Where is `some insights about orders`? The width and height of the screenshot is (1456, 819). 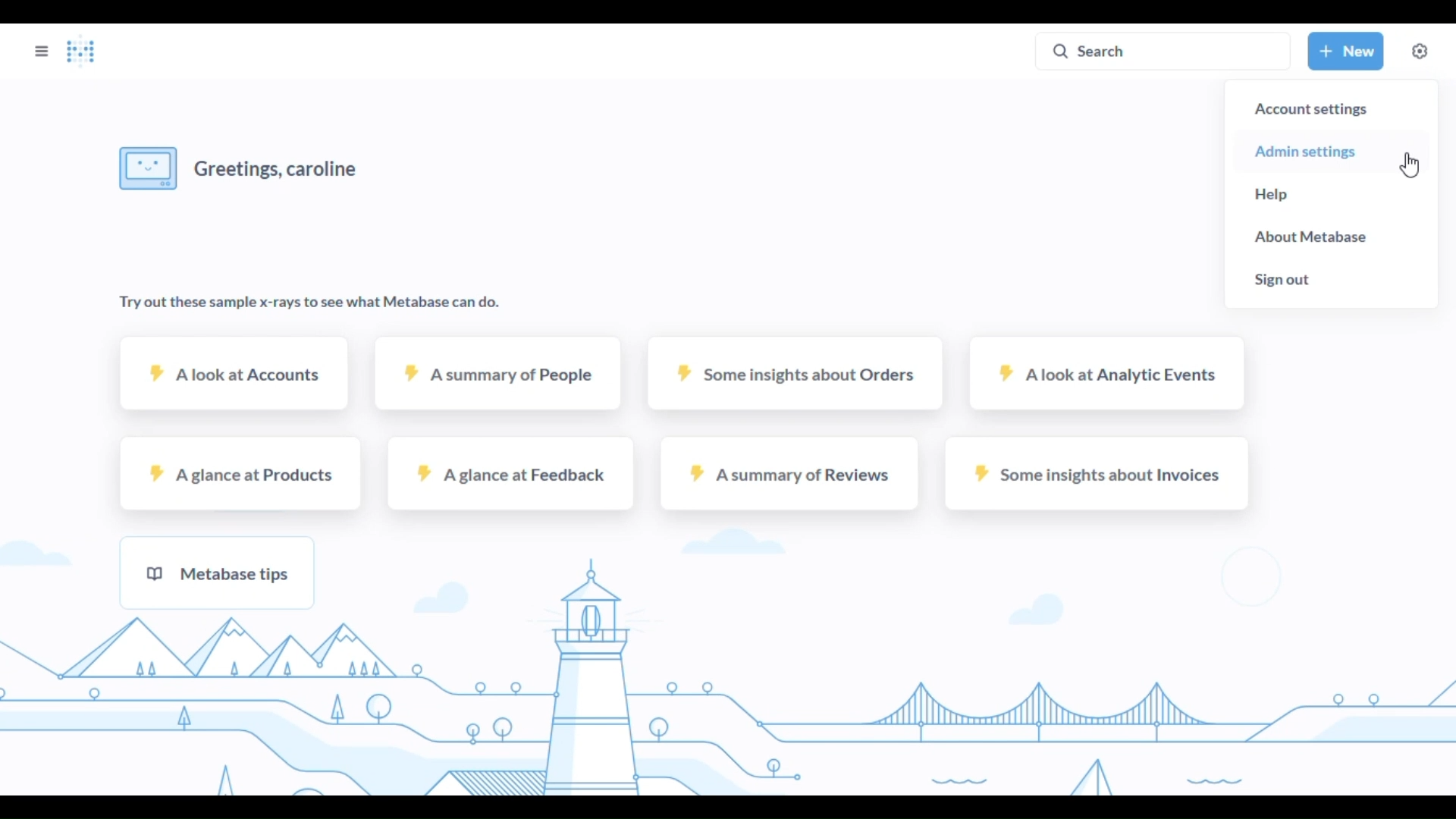
some insights about orders is located at coordinates (795, 372).